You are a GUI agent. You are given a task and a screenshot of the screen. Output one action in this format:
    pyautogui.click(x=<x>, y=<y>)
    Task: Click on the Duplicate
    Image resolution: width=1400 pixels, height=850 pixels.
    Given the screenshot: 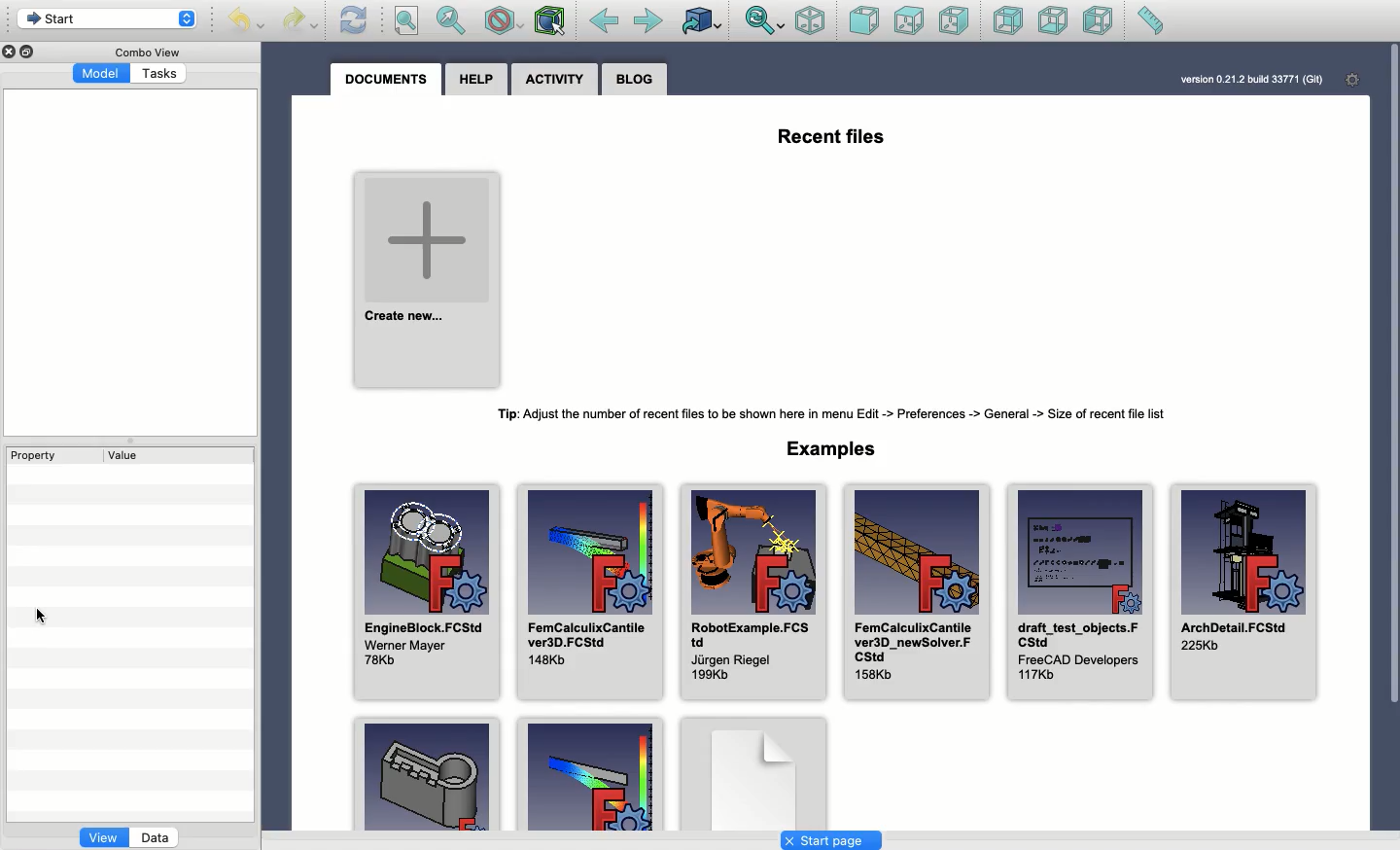 What is the action you would take?
    pyautogui.click(x=30, y=51)
    